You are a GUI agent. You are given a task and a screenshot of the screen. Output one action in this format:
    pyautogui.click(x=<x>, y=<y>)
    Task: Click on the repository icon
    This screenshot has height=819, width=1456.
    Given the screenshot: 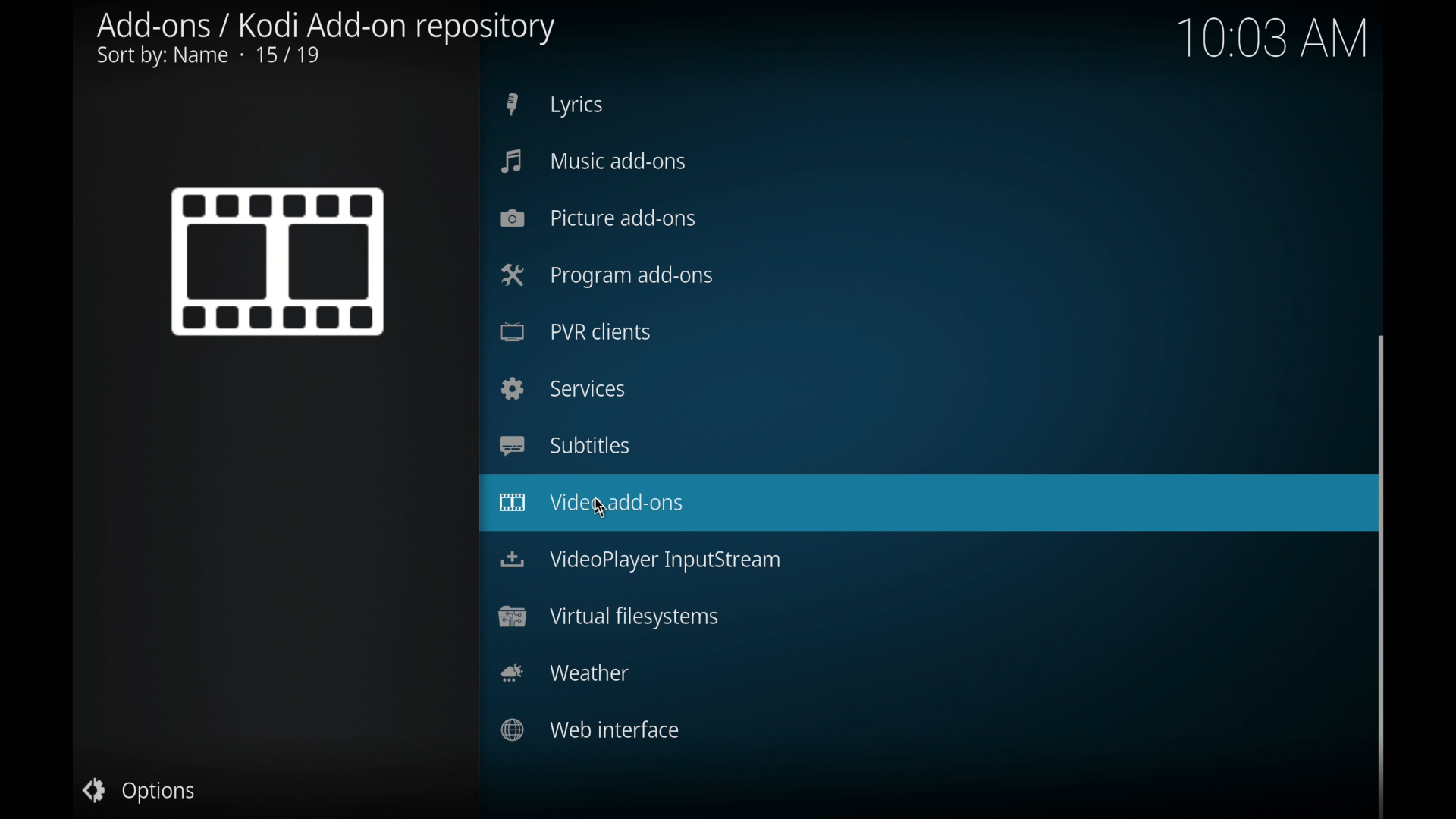 What is the action you would take?
    pyautogui.click(x=278, y=261)
    